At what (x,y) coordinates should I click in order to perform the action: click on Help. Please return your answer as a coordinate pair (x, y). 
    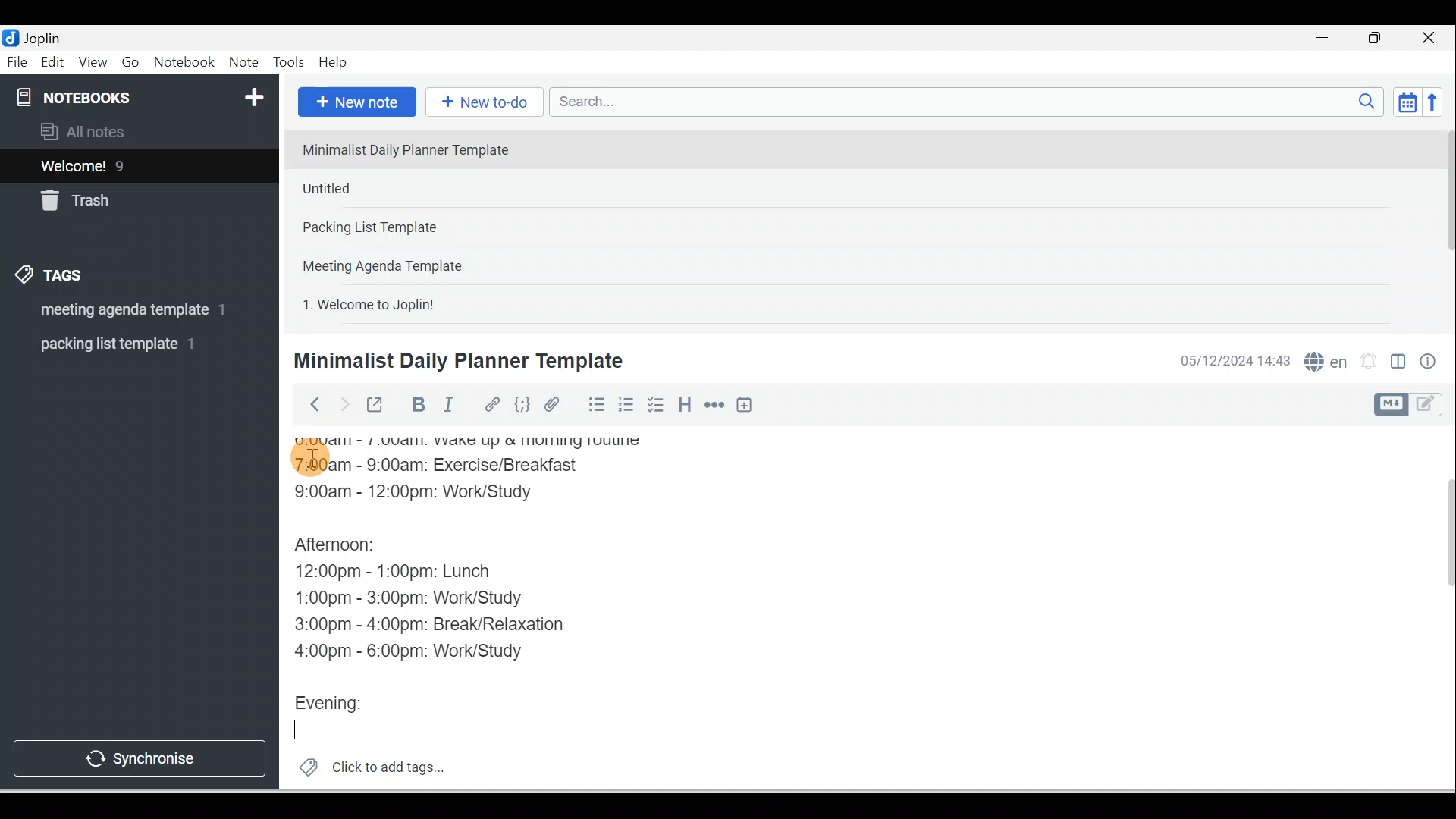
    Looking at the image, I should click on (334, 63).